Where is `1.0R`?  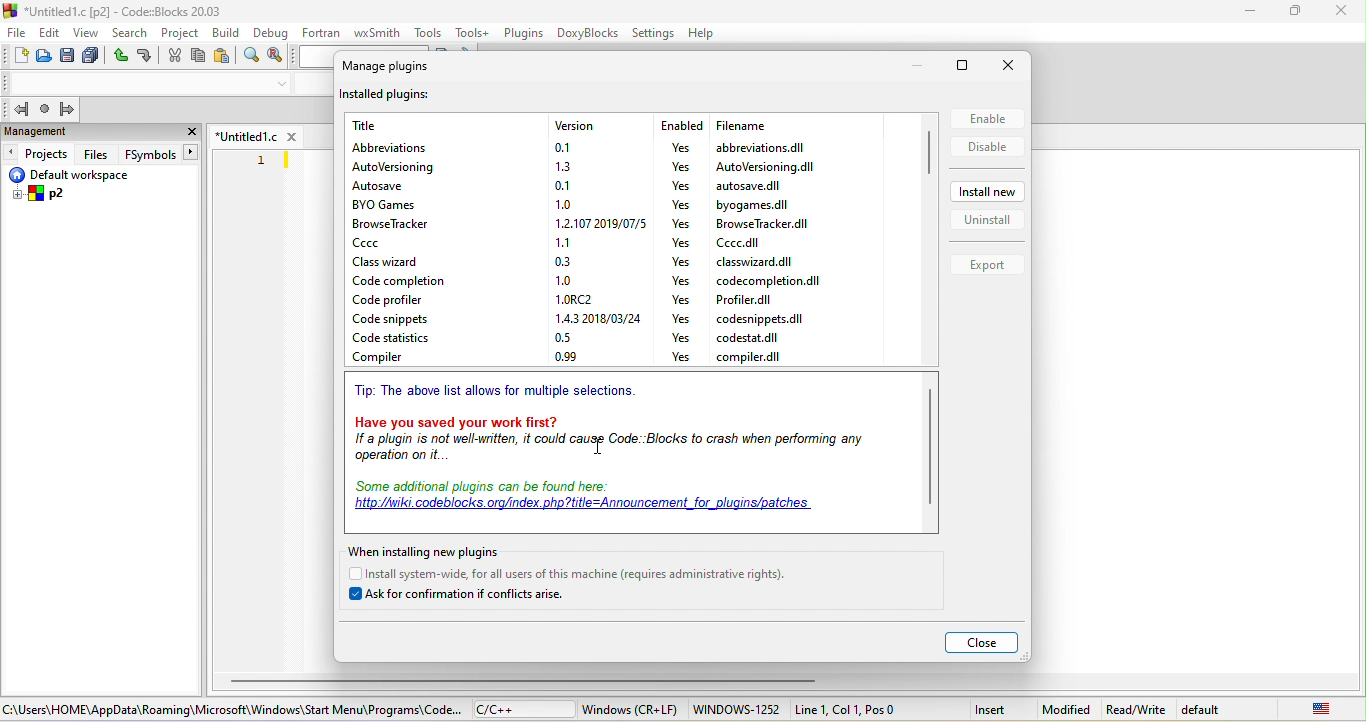 1.0R is located at coordinates (573, 299).